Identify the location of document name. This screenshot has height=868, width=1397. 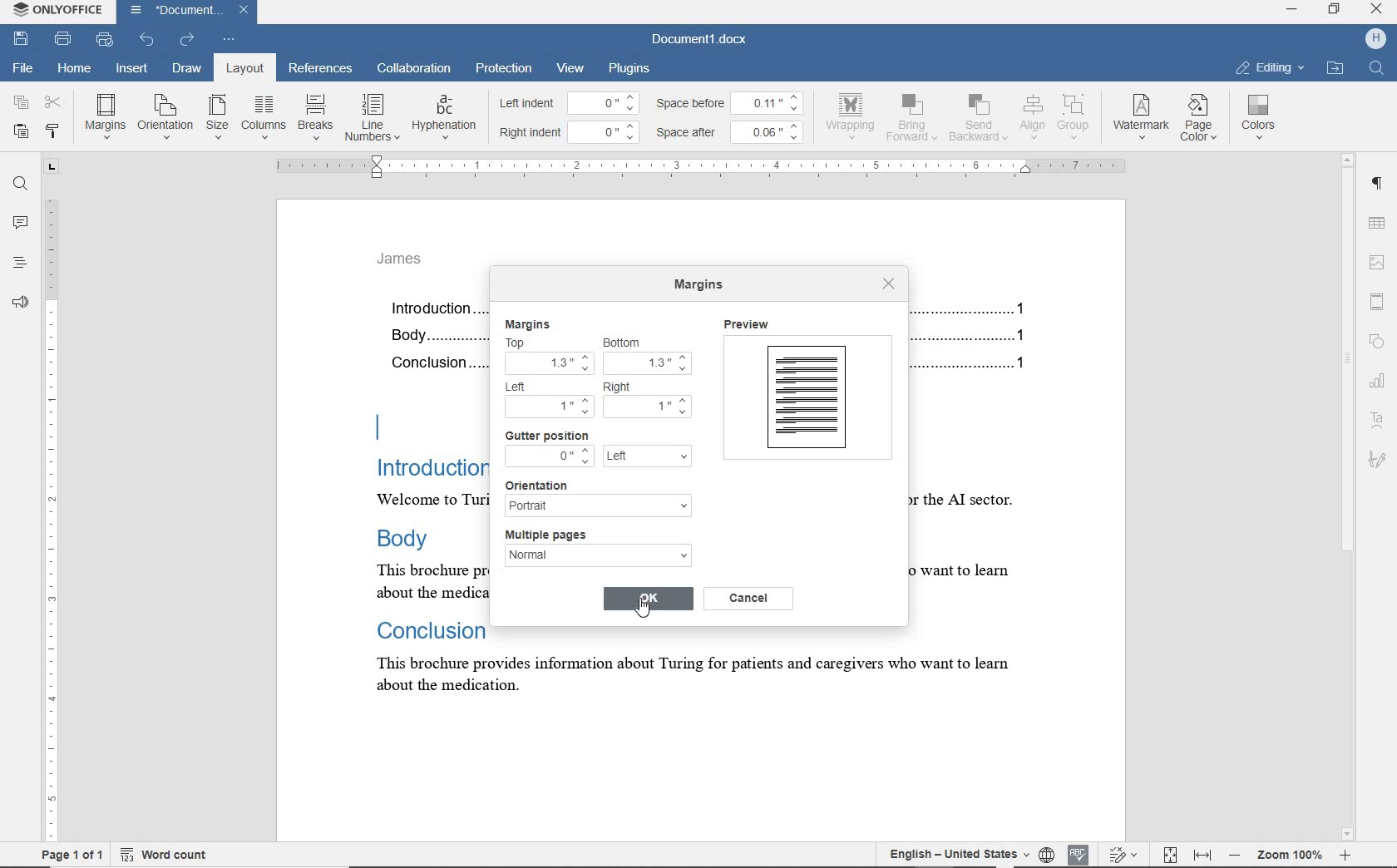
(700, 40).